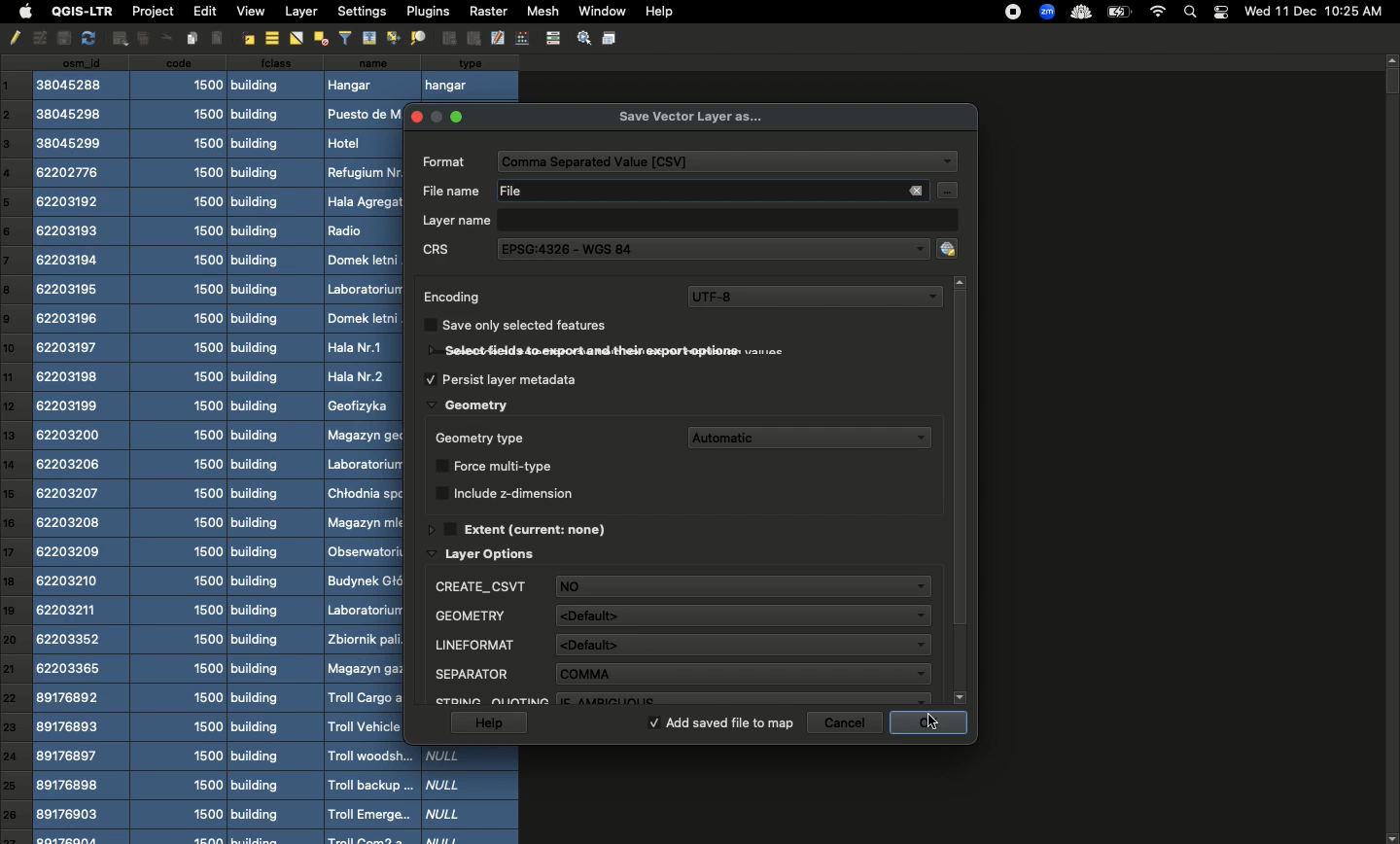  What do you see at coordinates (82, 450) in the screenshot?
I see `csn_id` at bounding box center [82, 450].